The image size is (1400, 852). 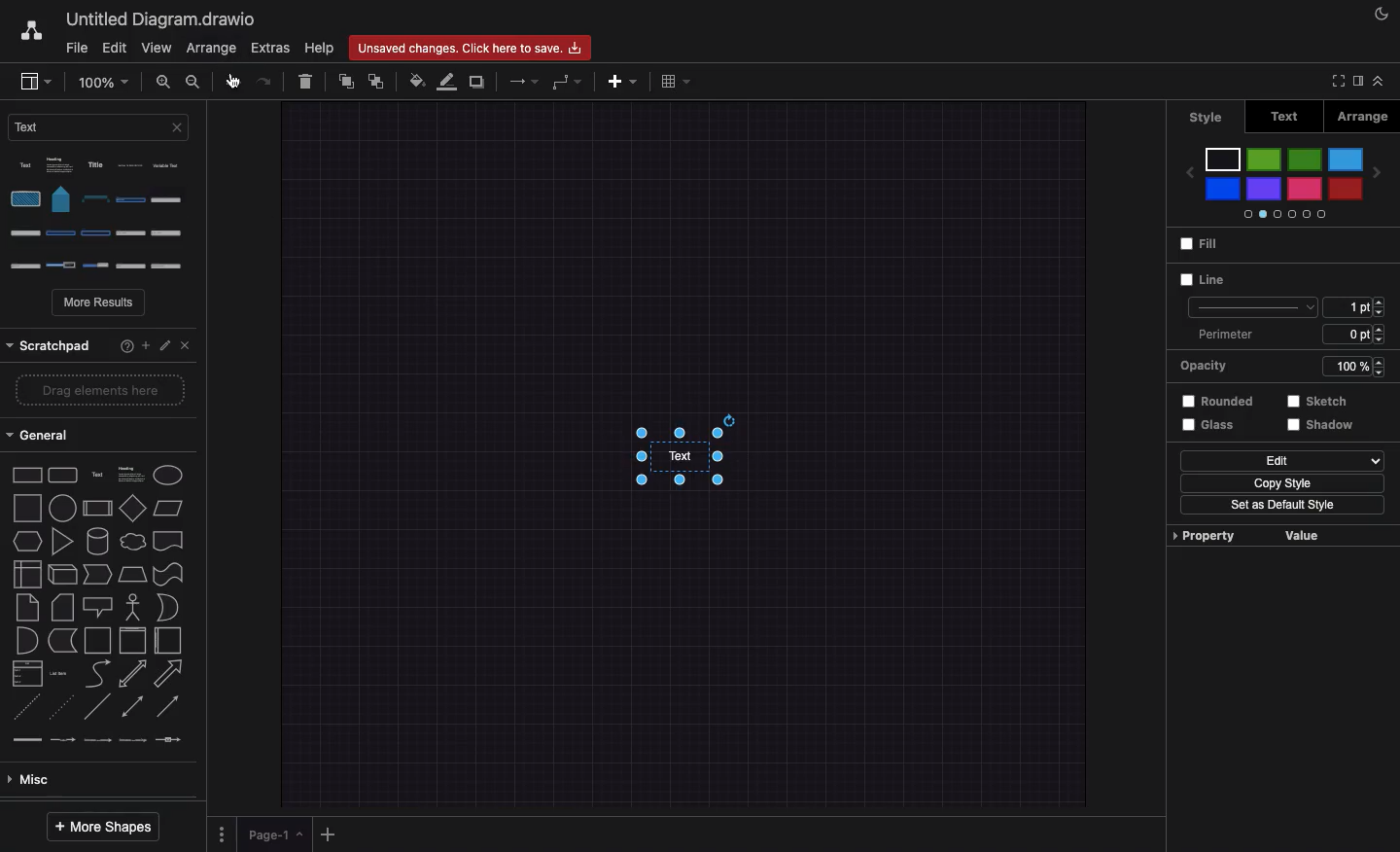 What do you see at coordinates (1314, 401) in the screenshot?
I see `Skecth` at bounding box center [1314, 401].